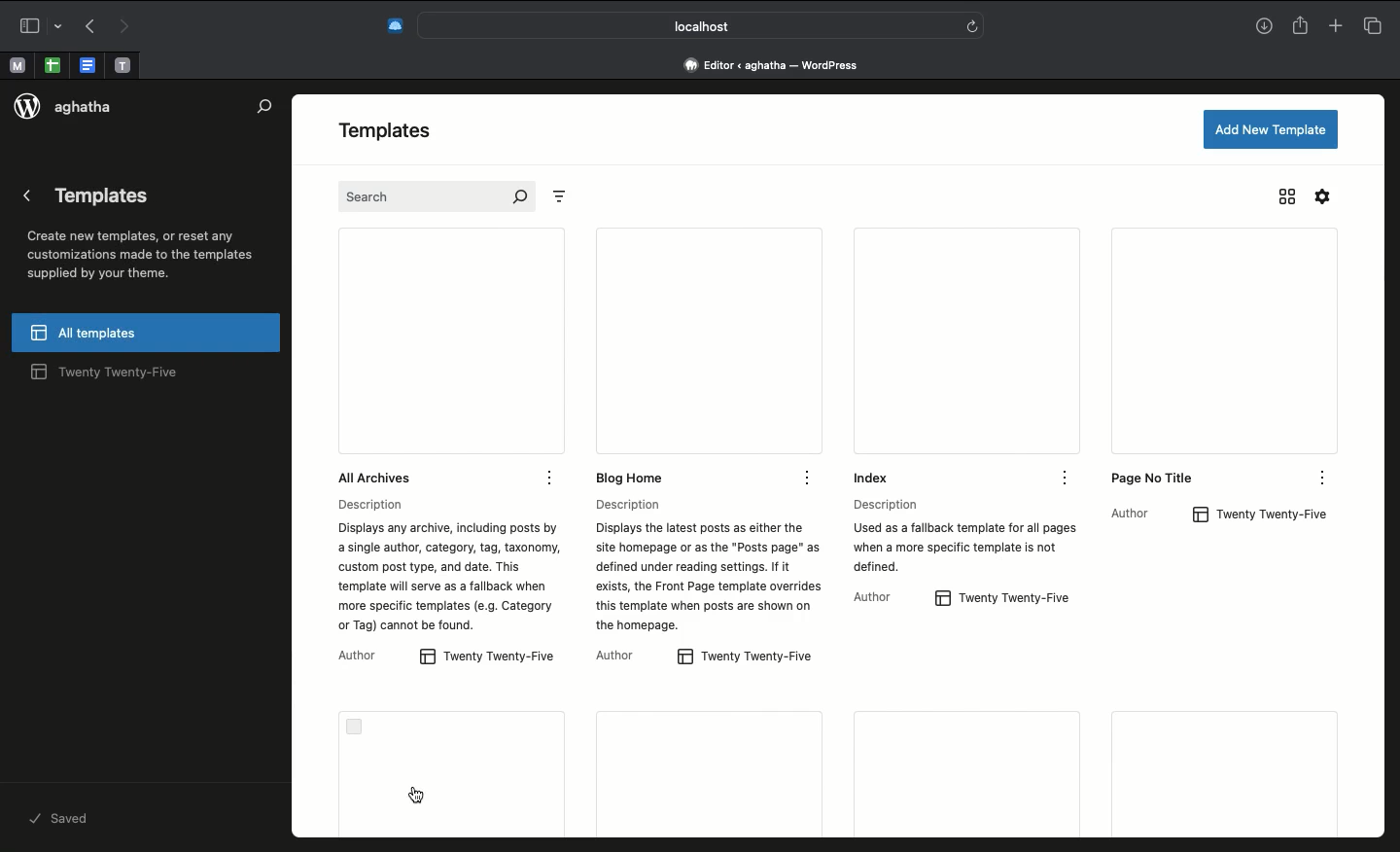  Describe the element at coordinates (417, 795) in the screenshot. I see `cursor` at that location.